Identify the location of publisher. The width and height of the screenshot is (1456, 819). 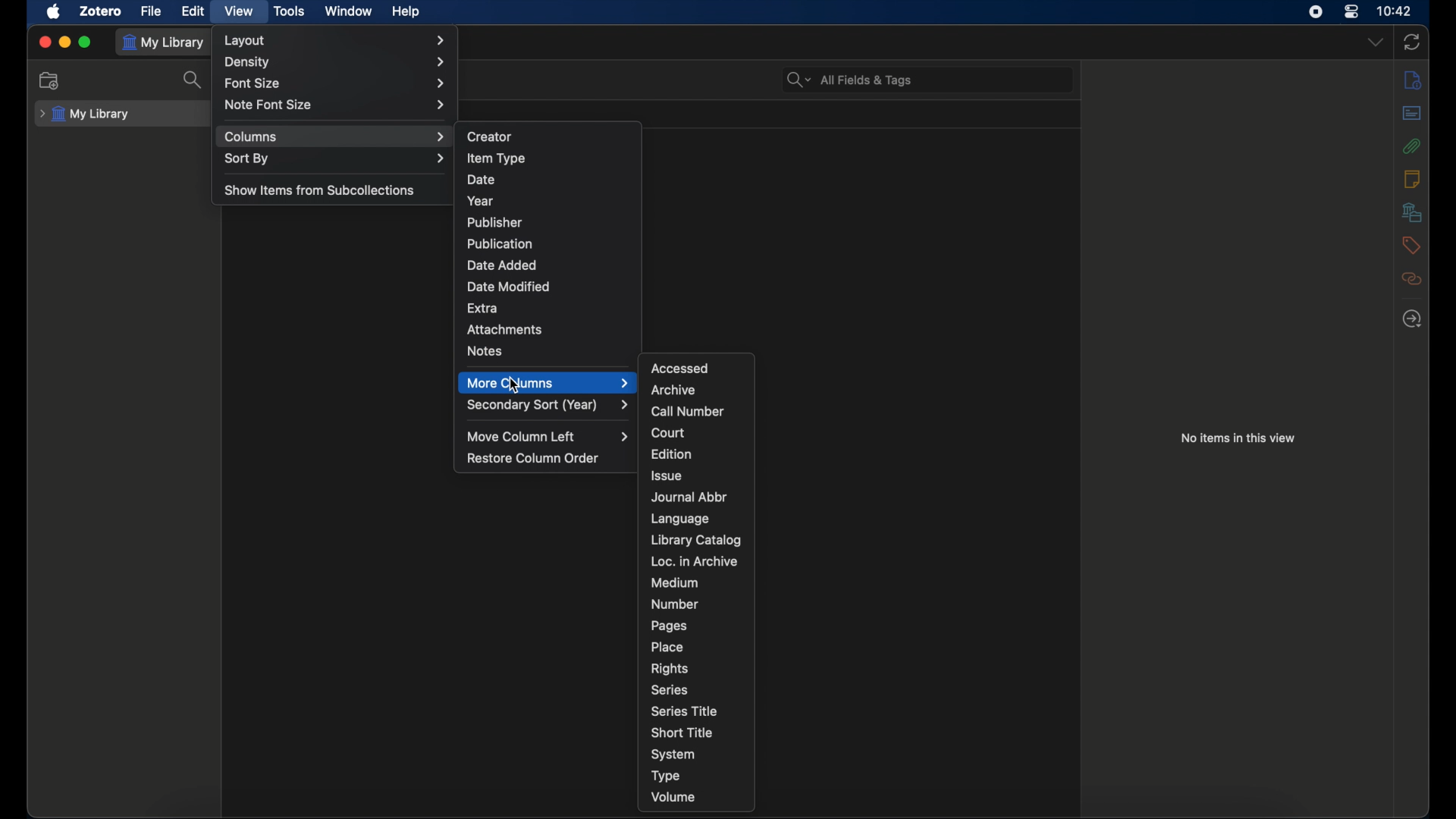
(496, 222).